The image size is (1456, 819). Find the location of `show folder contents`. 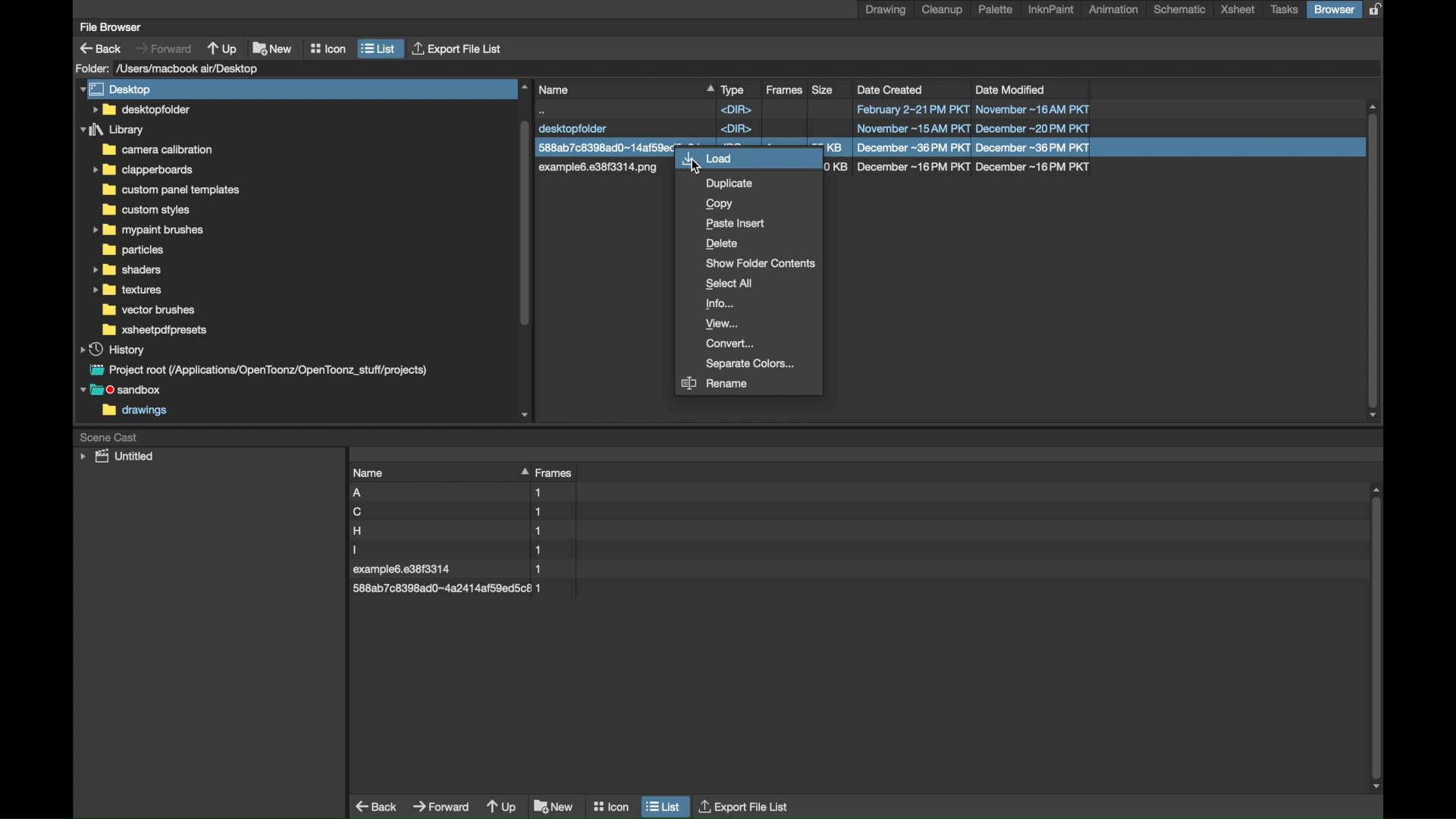

show folder contents is located at coordinates (761, 263).